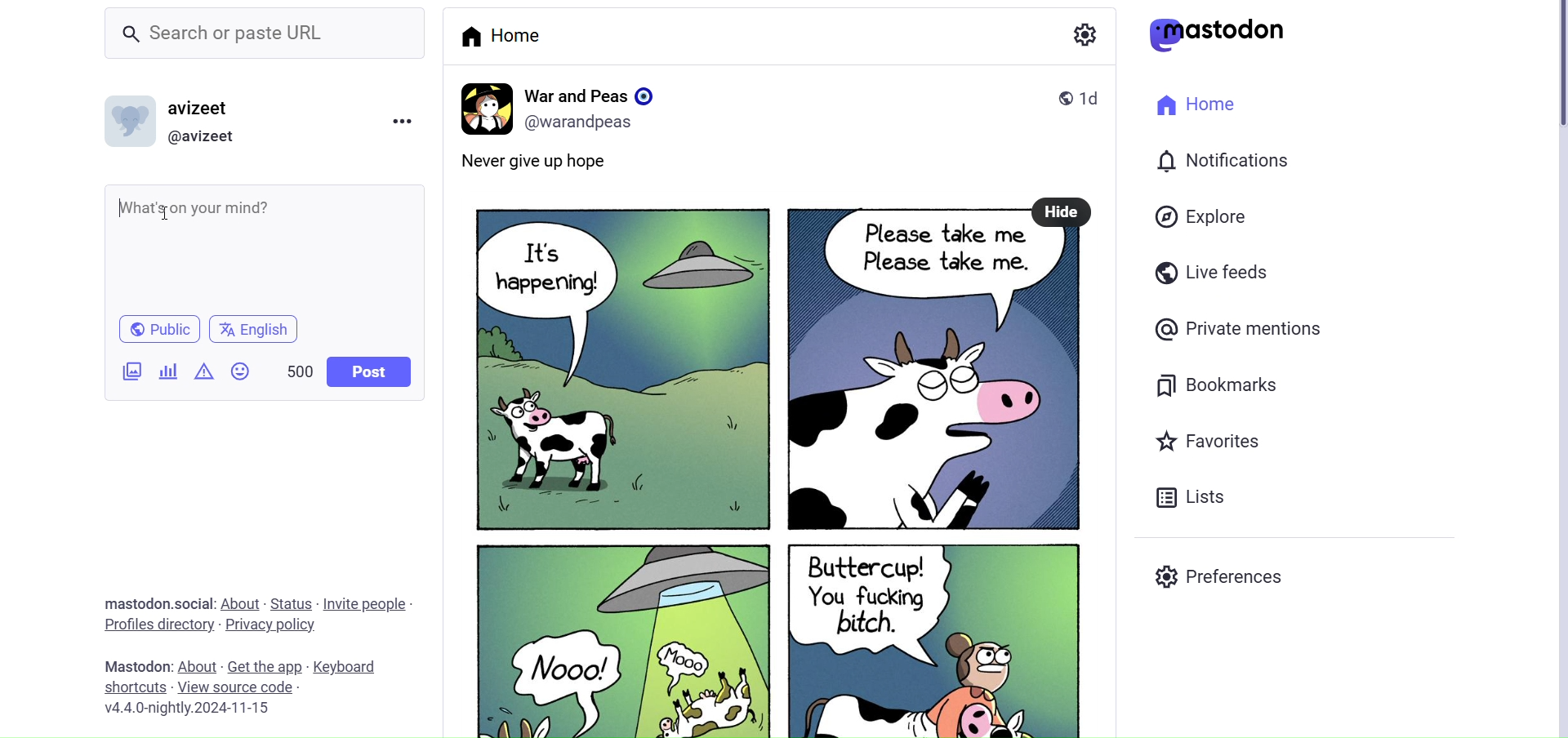 The height and width of the screenshot is (738, 1568). I want to click on Menu, so click(406, 119).